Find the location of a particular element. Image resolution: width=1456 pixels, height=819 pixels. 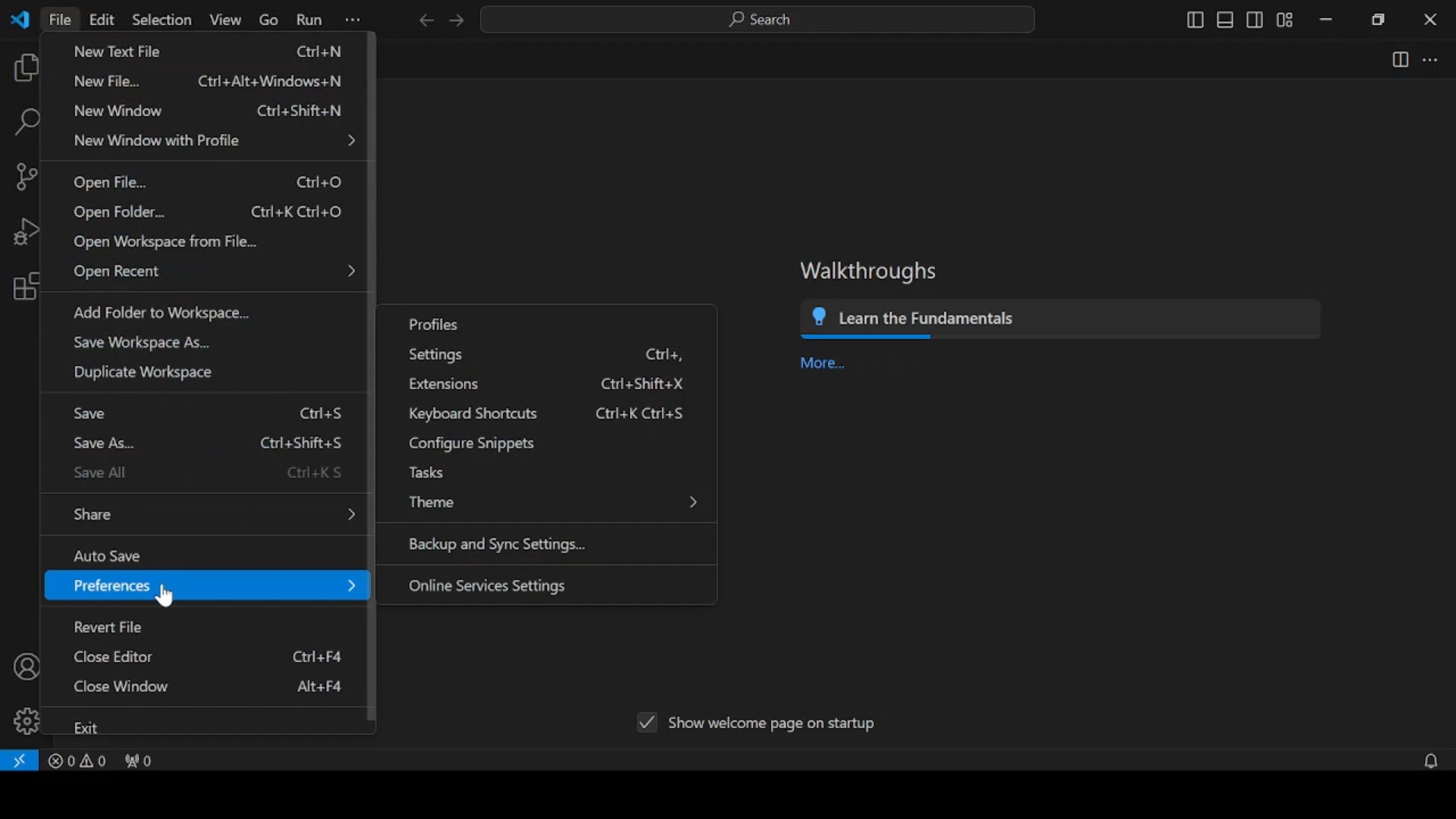

search bar is located at coordinates (758, 20).